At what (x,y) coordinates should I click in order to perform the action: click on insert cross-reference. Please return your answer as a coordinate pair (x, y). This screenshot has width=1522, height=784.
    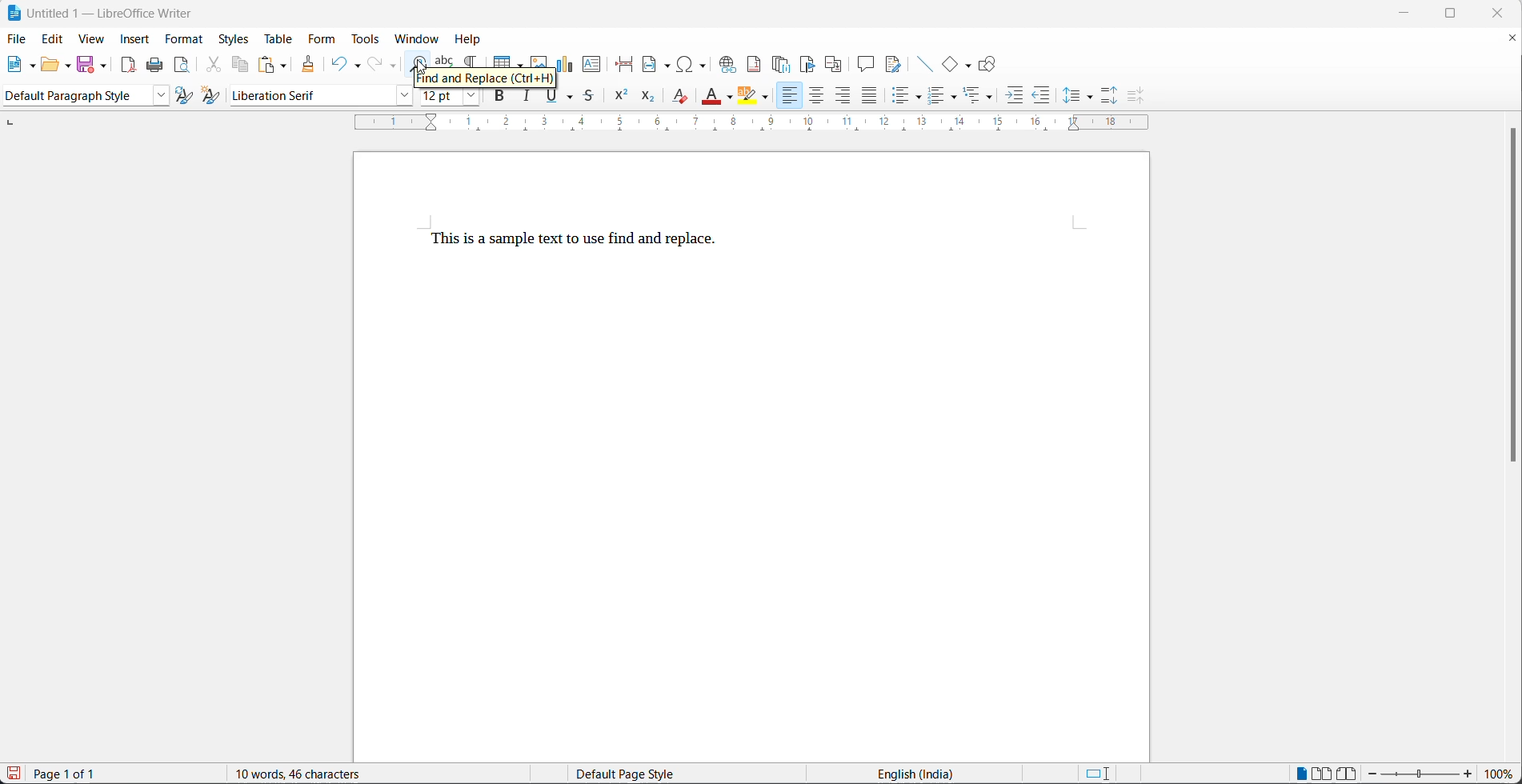
    Looking at the image, I should click on (834, 64).